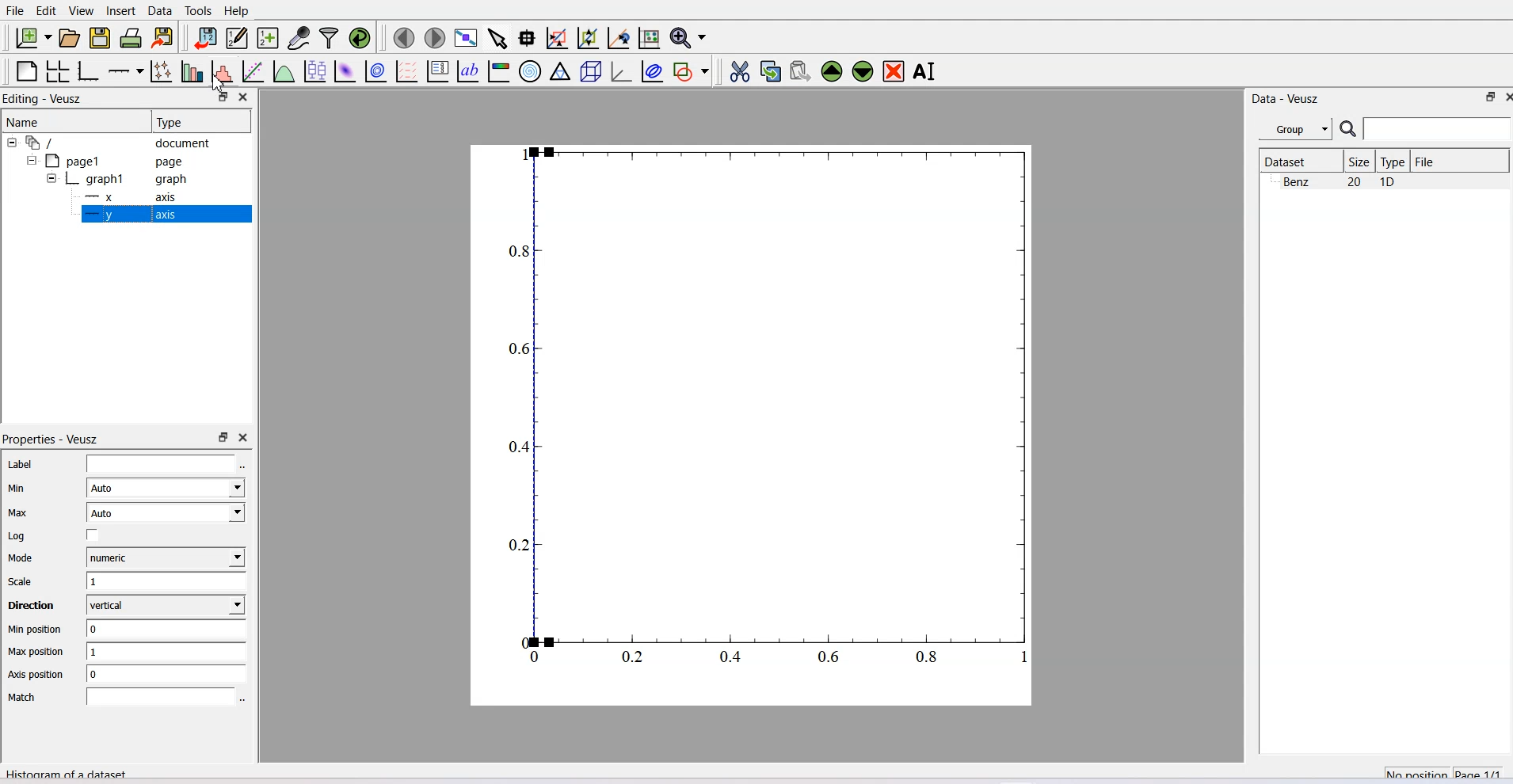 This screenshot has height=784, width=1513. Describe the element at coordinates (654, 71) in the screenshot. I see `Plot Covariance ellipses` at that location.